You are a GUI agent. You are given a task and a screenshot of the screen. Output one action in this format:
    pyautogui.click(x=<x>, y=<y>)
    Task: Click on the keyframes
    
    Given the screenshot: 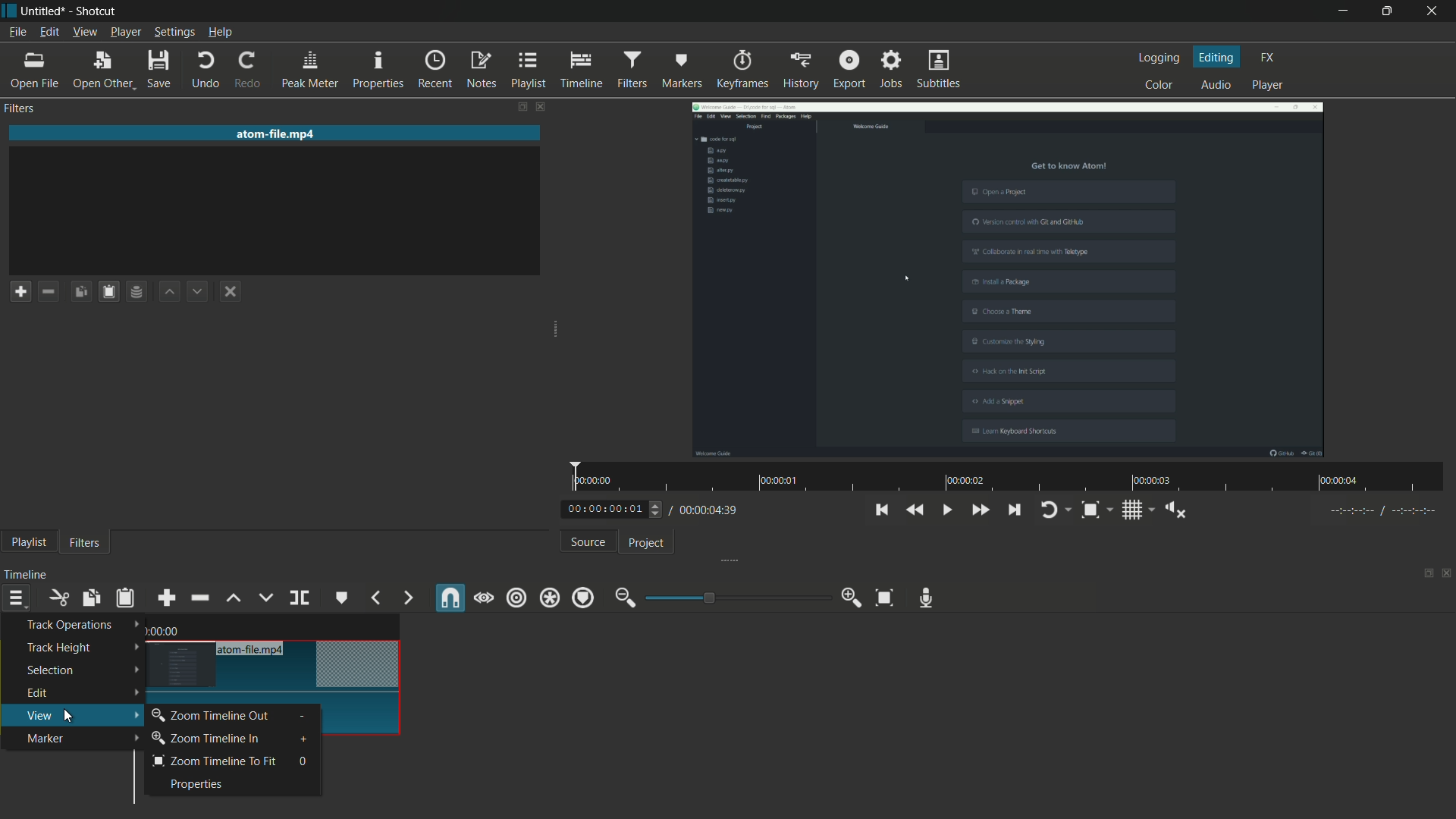 What is the action you would take?
    pyautogui.click(x=742, y=68)
    